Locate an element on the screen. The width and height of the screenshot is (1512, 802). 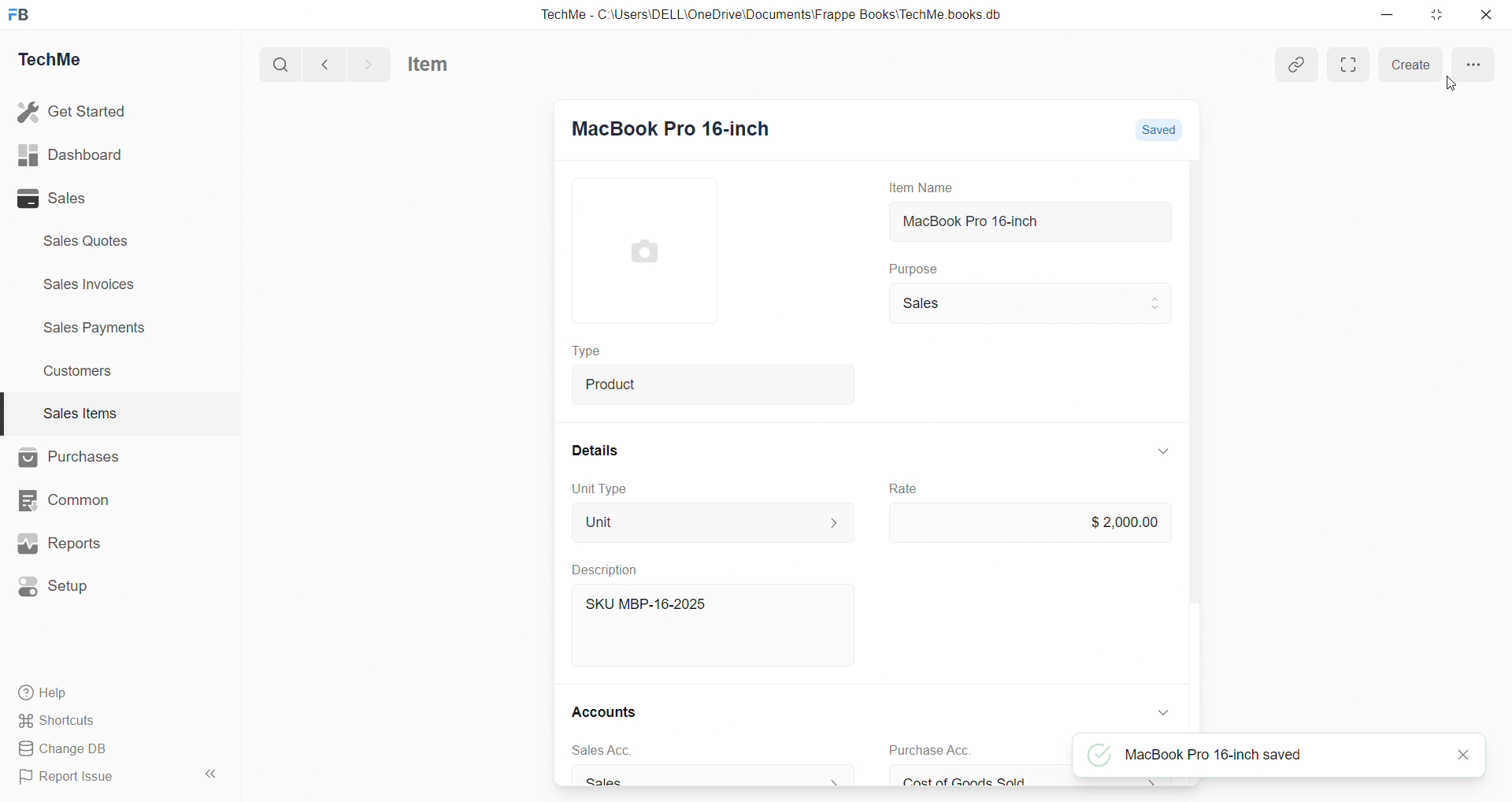
Create is located at coordinates (1411, 65).